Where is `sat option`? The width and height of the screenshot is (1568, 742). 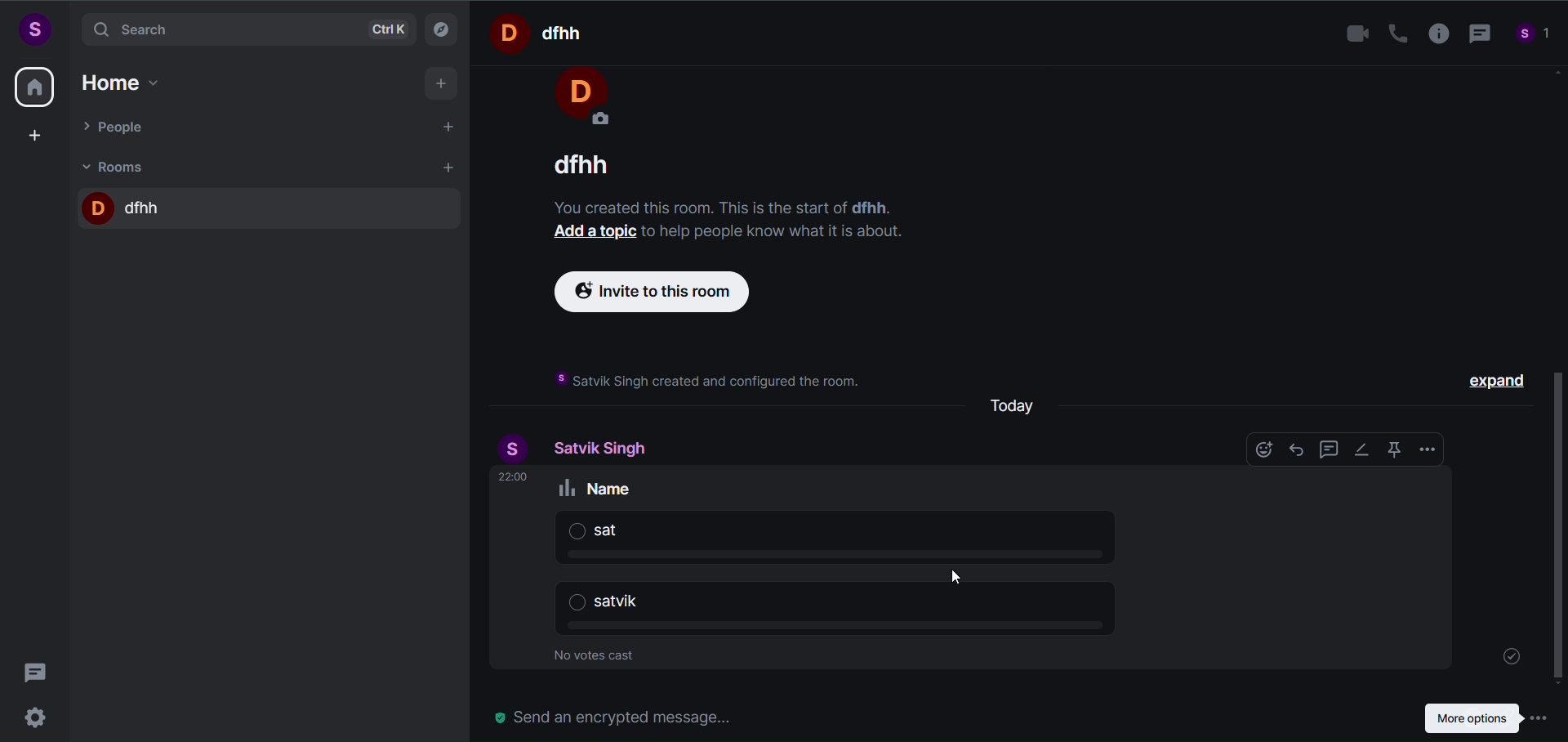
sat option is located at coordinates (862, 539).